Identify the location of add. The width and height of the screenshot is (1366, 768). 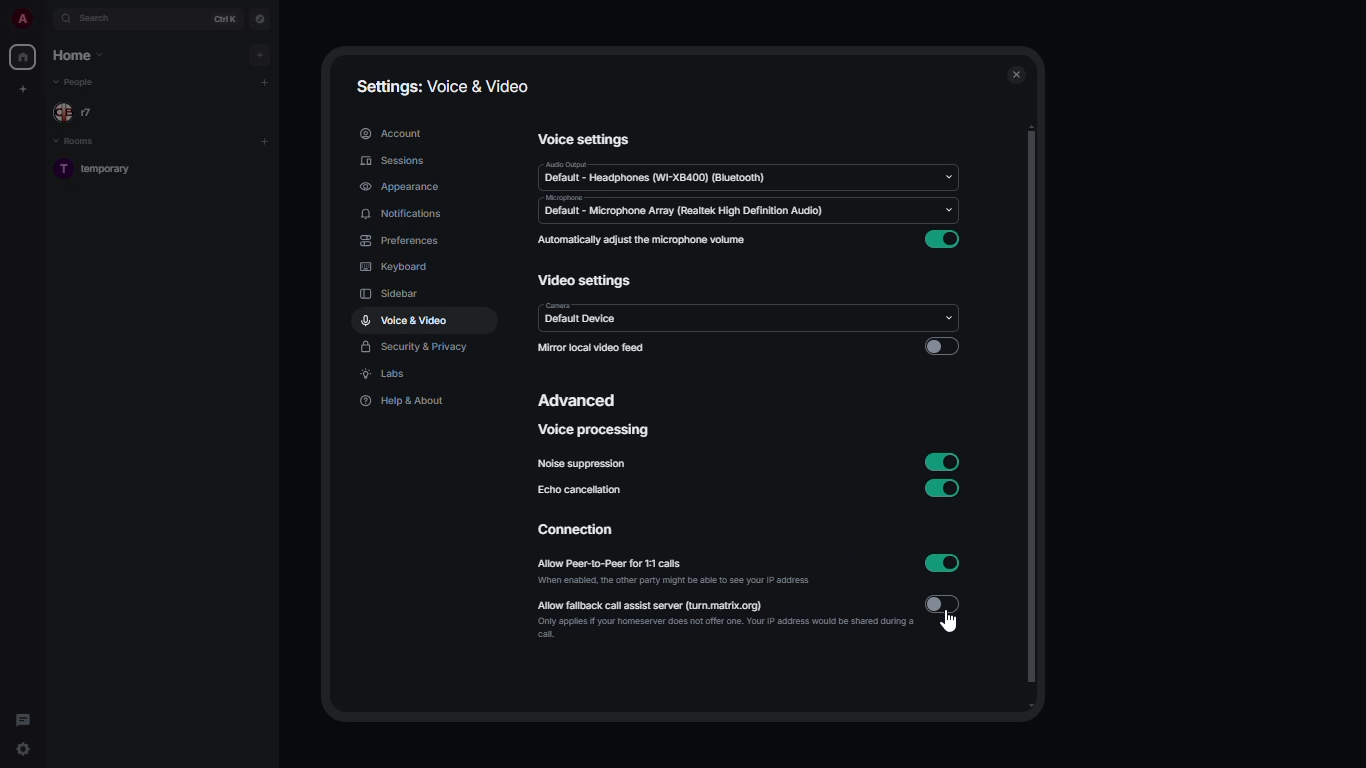
(263, 55).